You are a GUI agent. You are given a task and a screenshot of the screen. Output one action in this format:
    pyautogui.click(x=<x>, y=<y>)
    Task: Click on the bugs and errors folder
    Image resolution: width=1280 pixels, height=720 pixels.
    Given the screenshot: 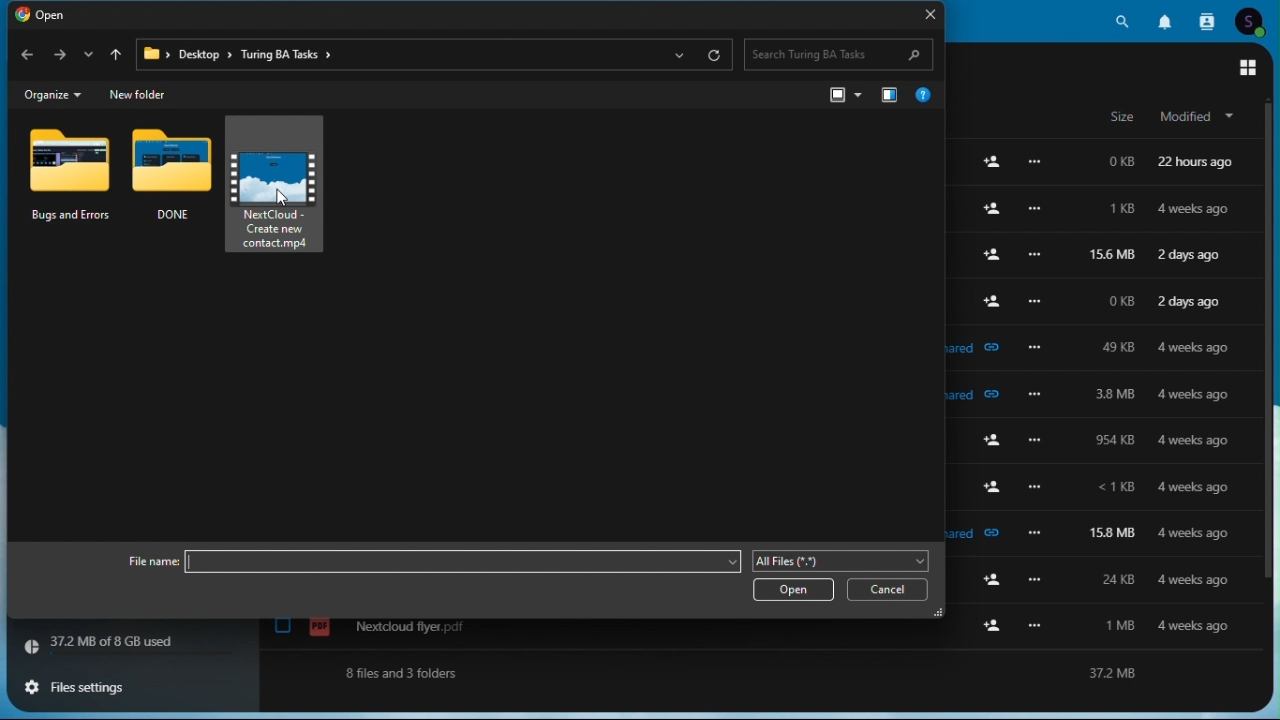 What is the action you would take?
    pyautogui.click(x=70, y=170)
    